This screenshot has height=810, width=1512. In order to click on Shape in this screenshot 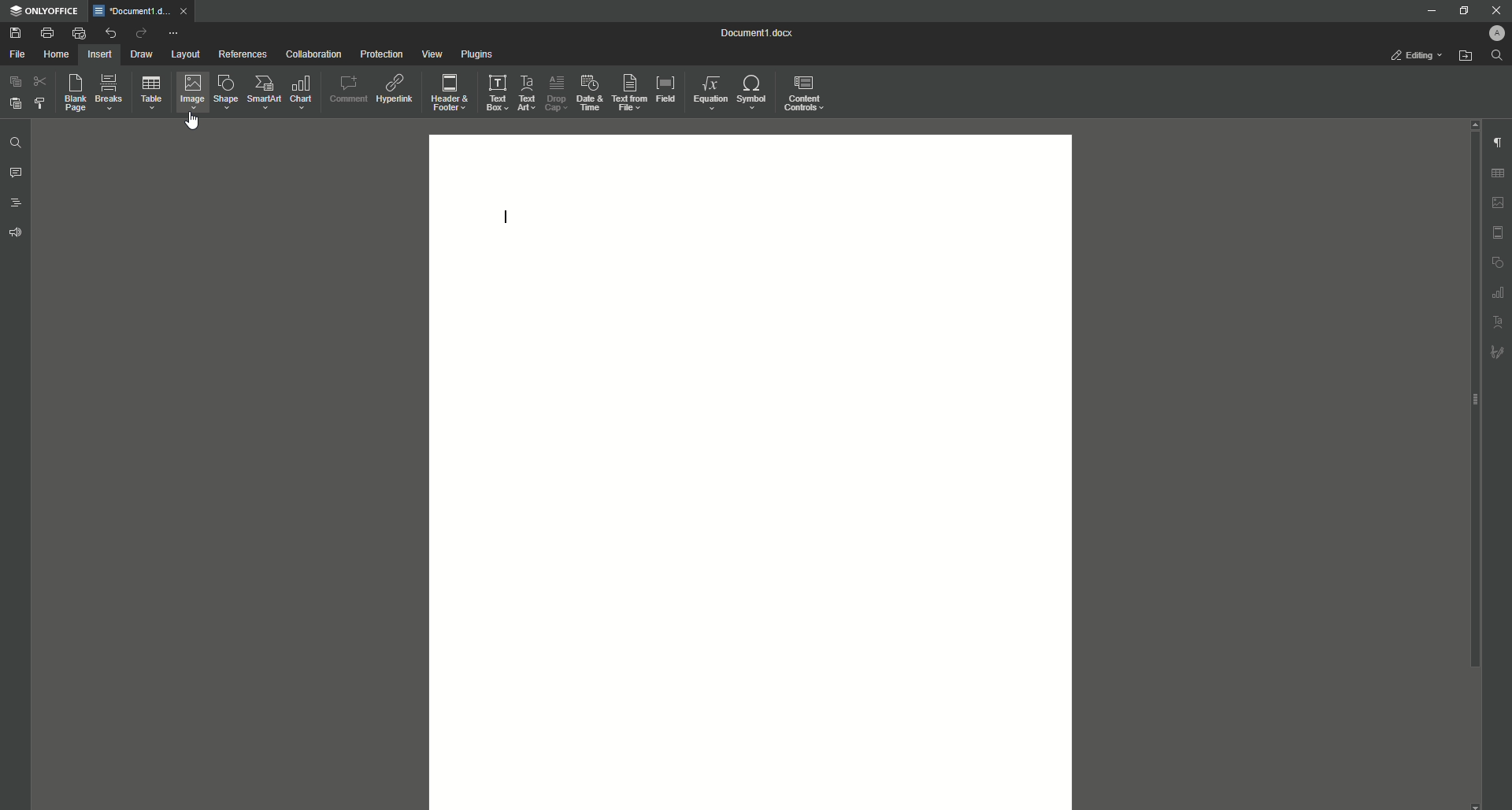, I will do `click(226, 91)`.